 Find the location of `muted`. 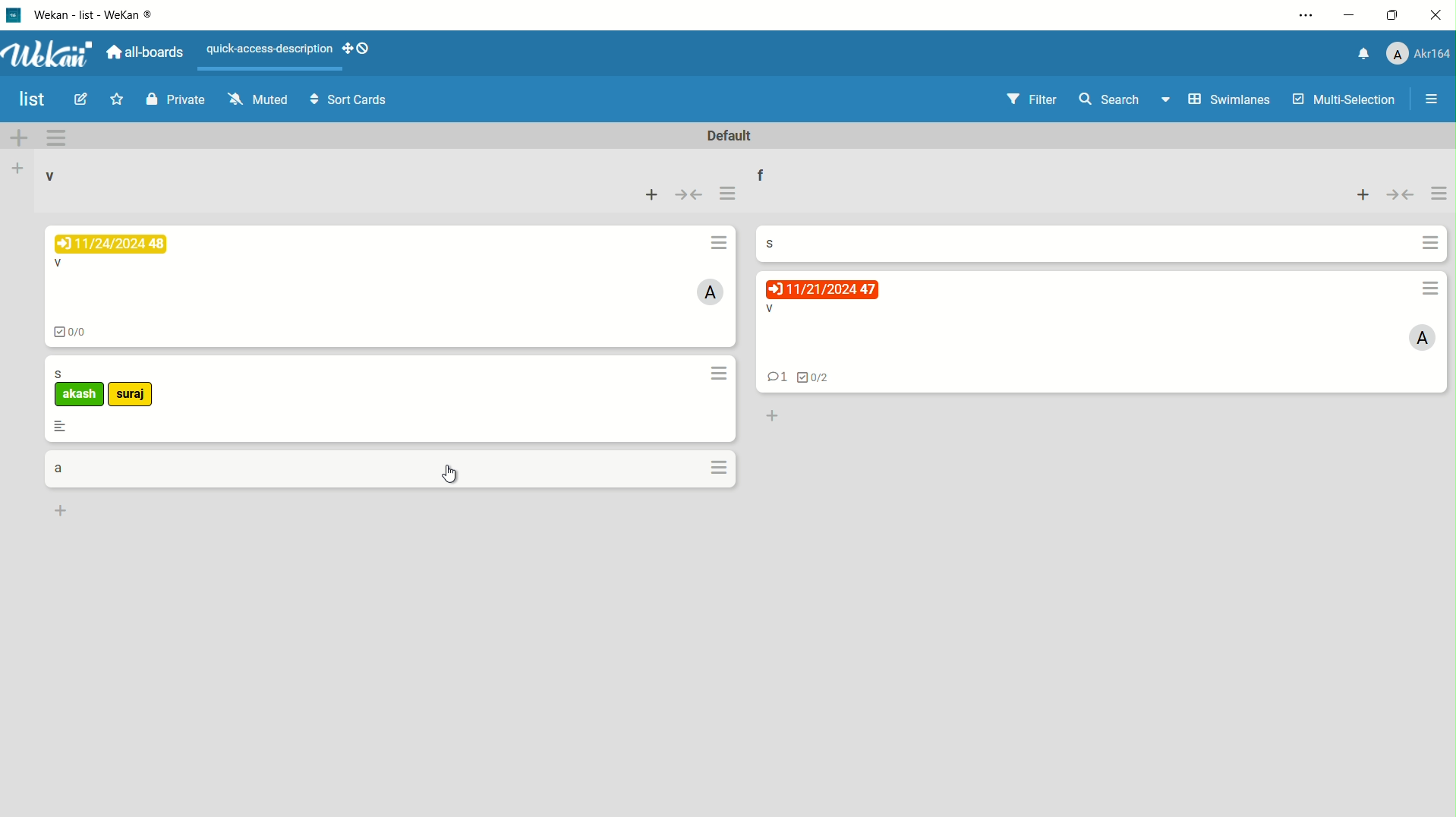

muted is located at coordinates (257, 99).